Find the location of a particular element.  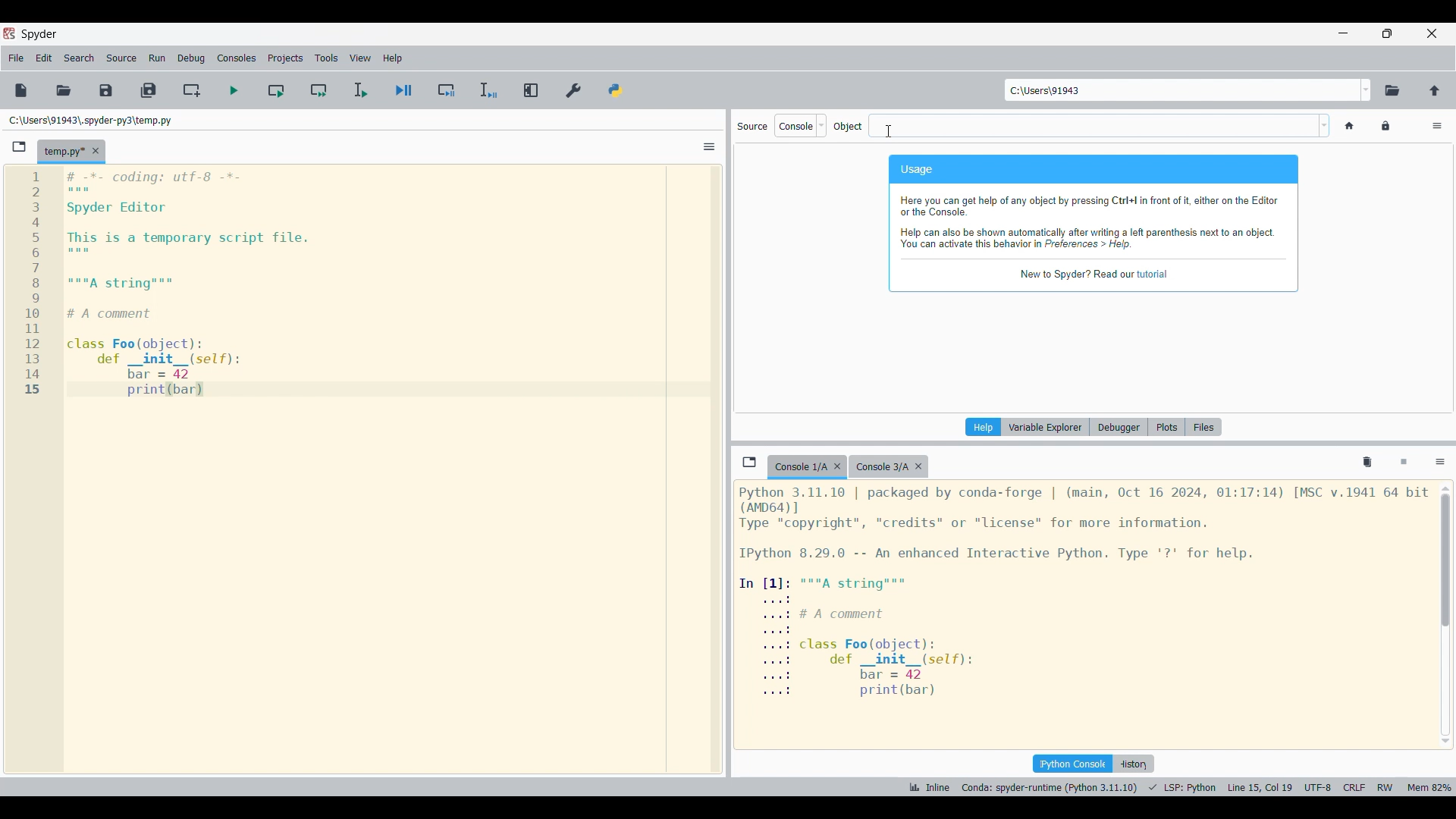

Minimize is located at coordinates (1344, 33).